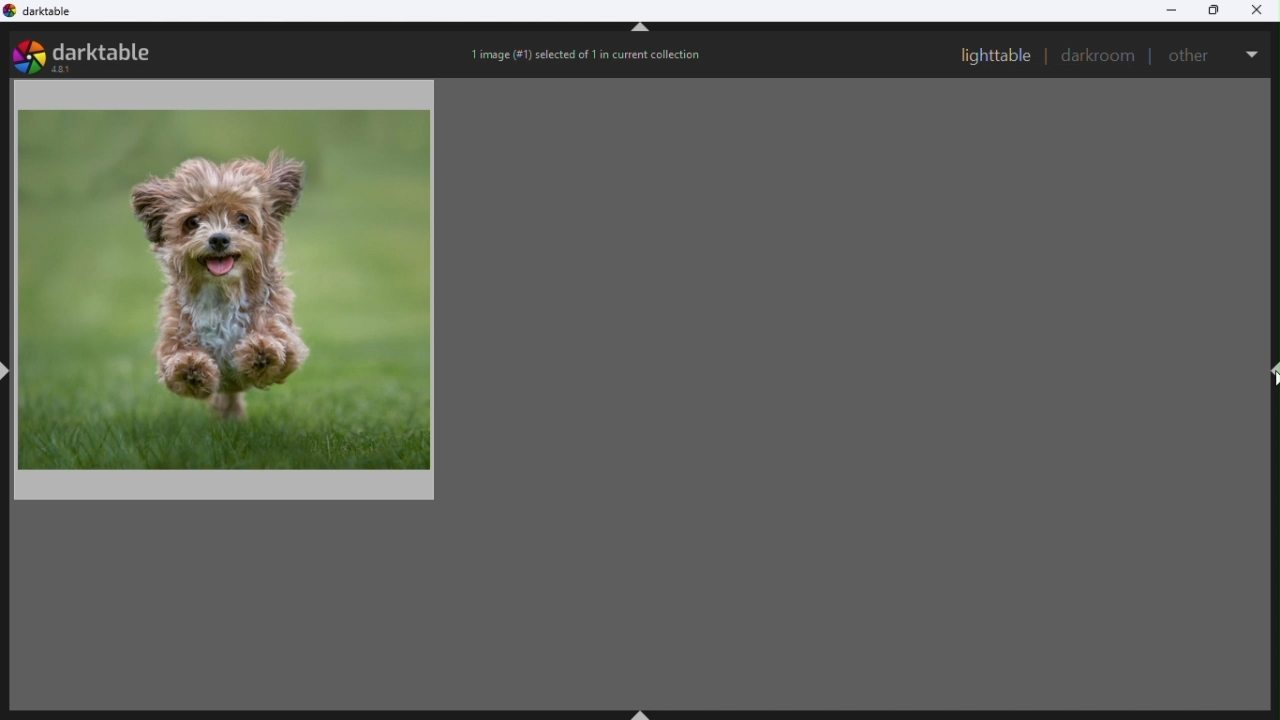 Image resolution: width=1280 pixels, height=720 pixels. I want to click on shift+ctrl+b, so click(644, 712).